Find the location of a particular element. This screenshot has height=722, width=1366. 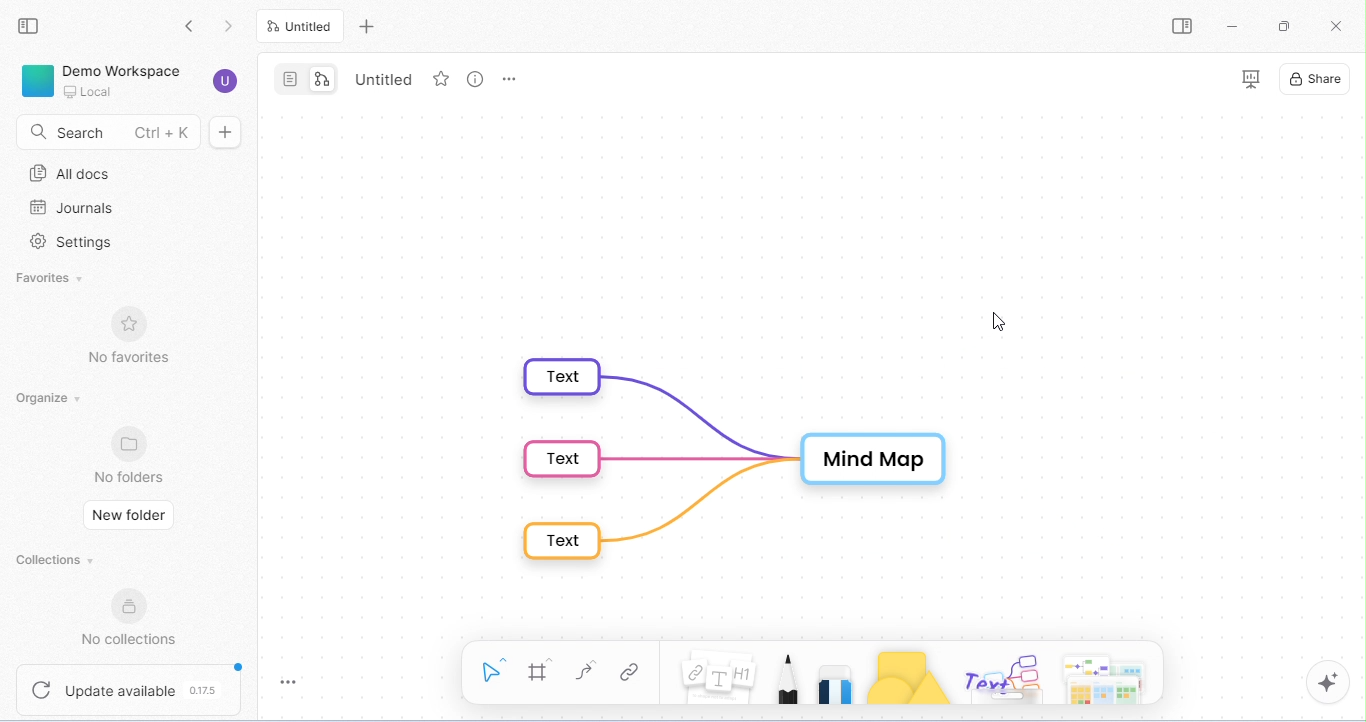

frame is located at coordinates (540, 671).